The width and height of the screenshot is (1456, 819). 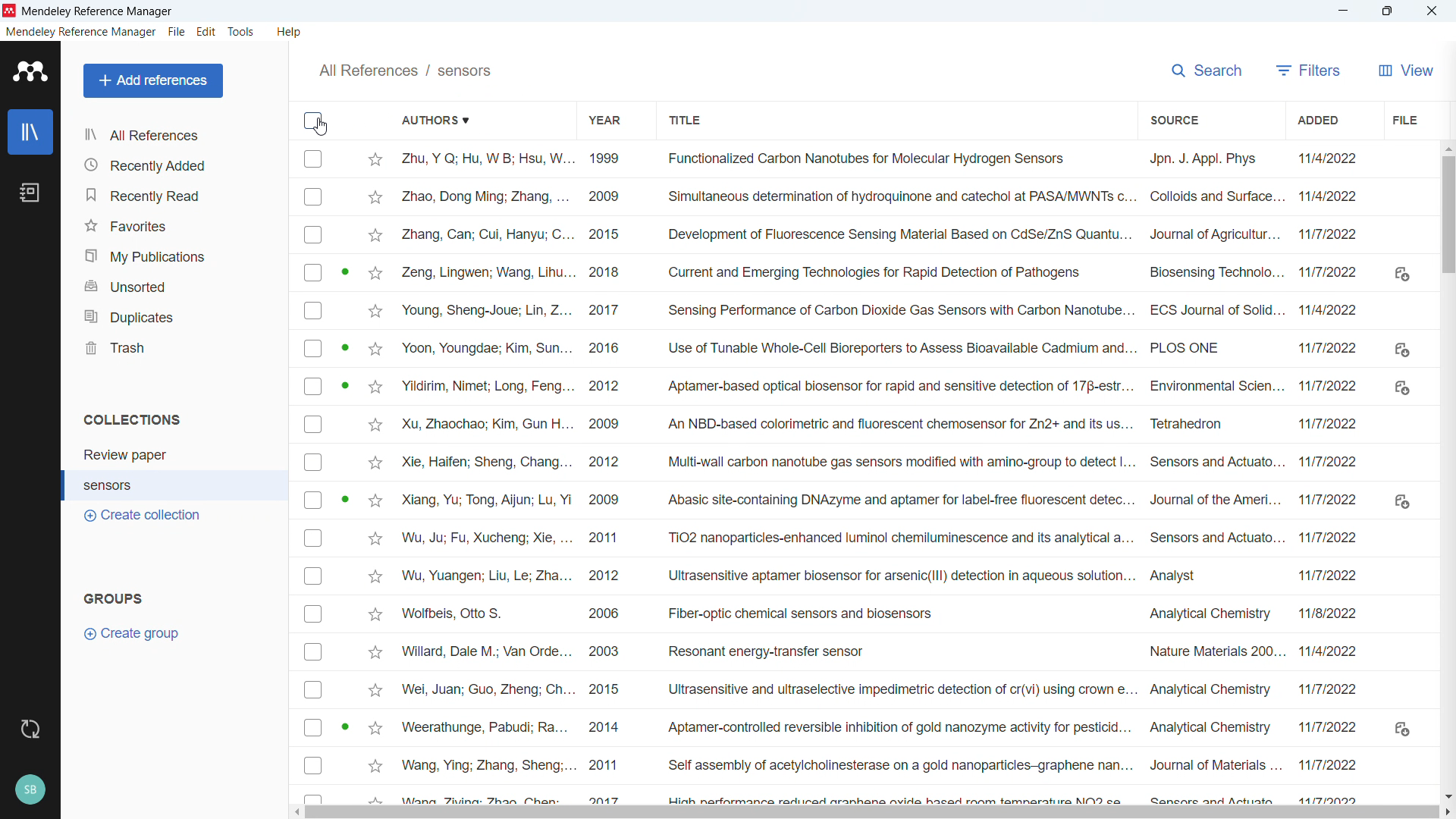 What do you see at coordinates (1404, 121) in the screenshot?
I see `File` at bounding box center [1404, 121].